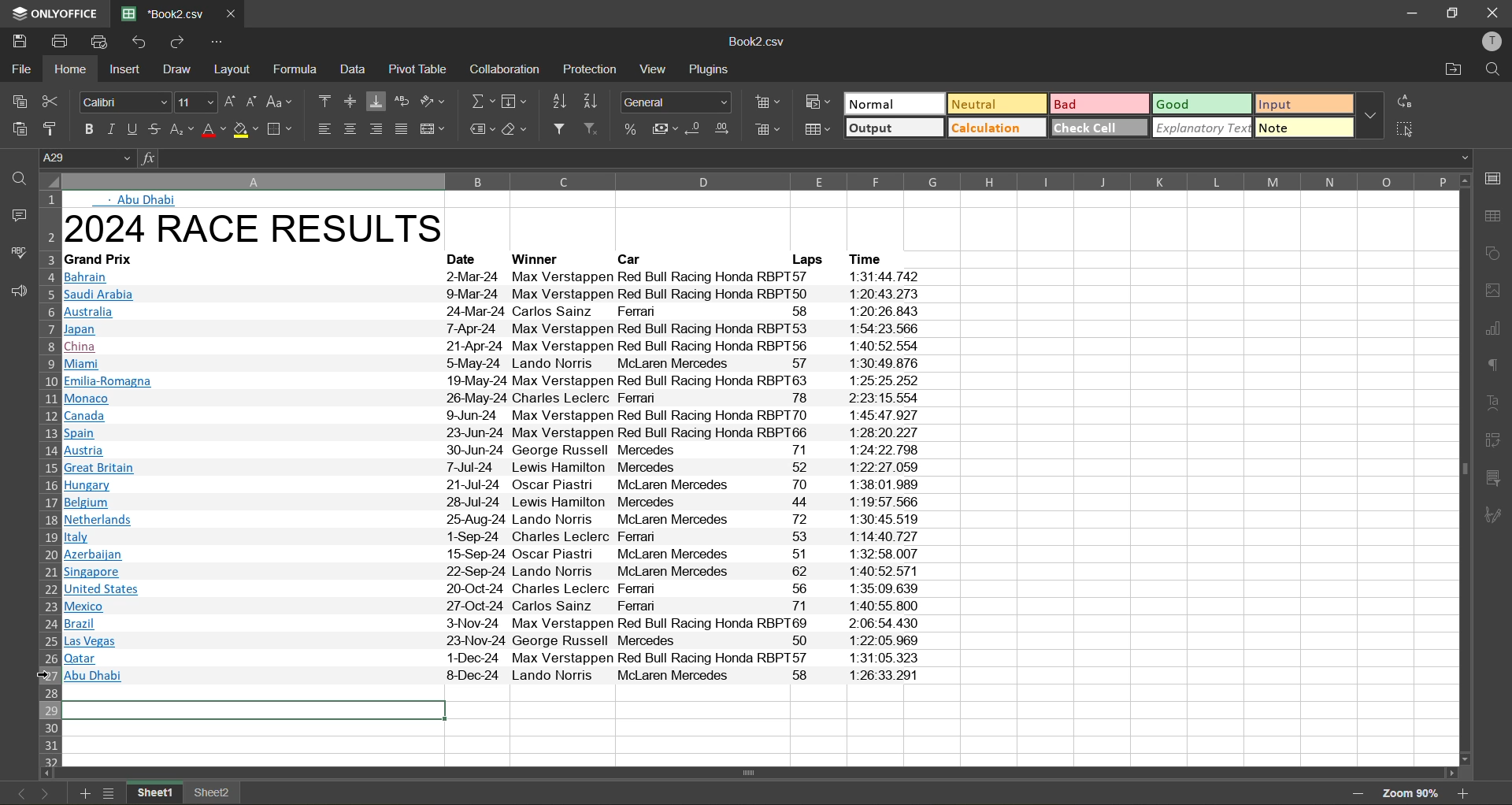 Image resolution: width=1512 pixels, height=805 pixels. What do you see at coordinates (564, 130) in the screenshot?
I see `filter` at bounding box center [564, 130].